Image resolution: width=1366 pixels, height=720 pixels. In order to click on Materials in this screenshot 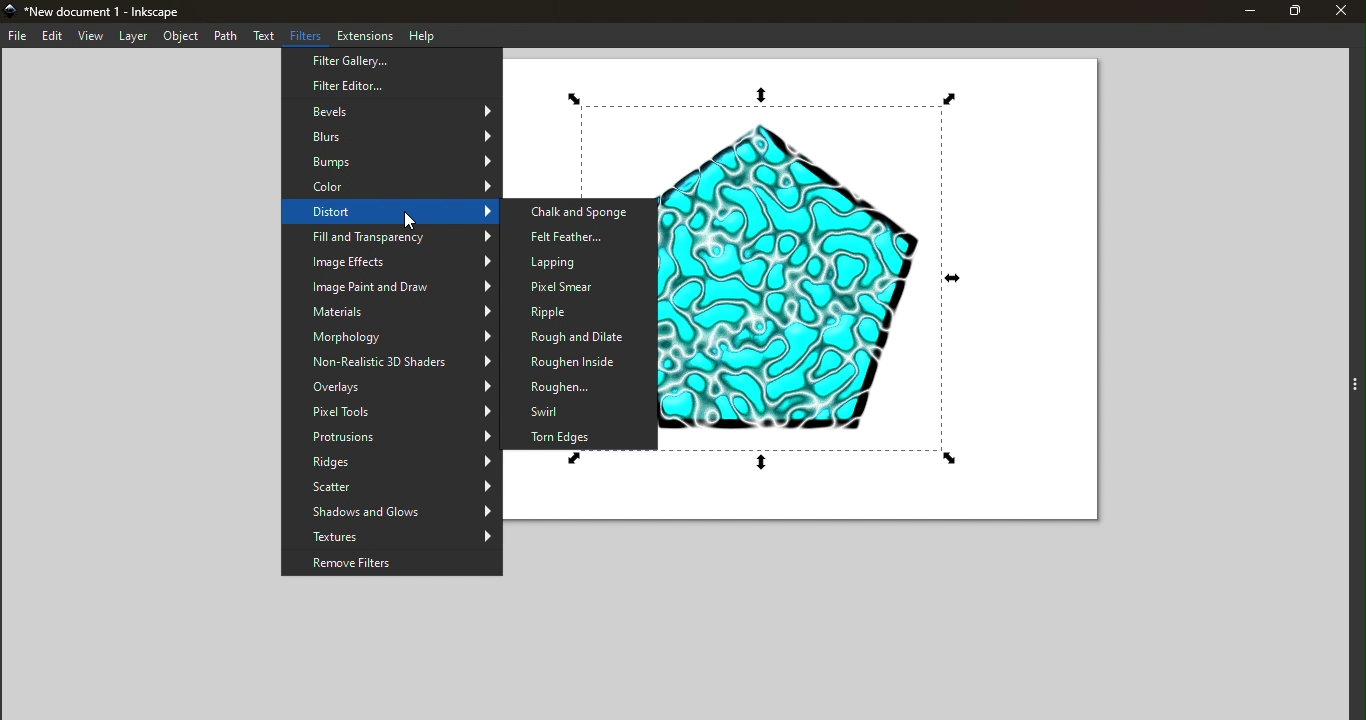, I will do `click(389, 313)`.